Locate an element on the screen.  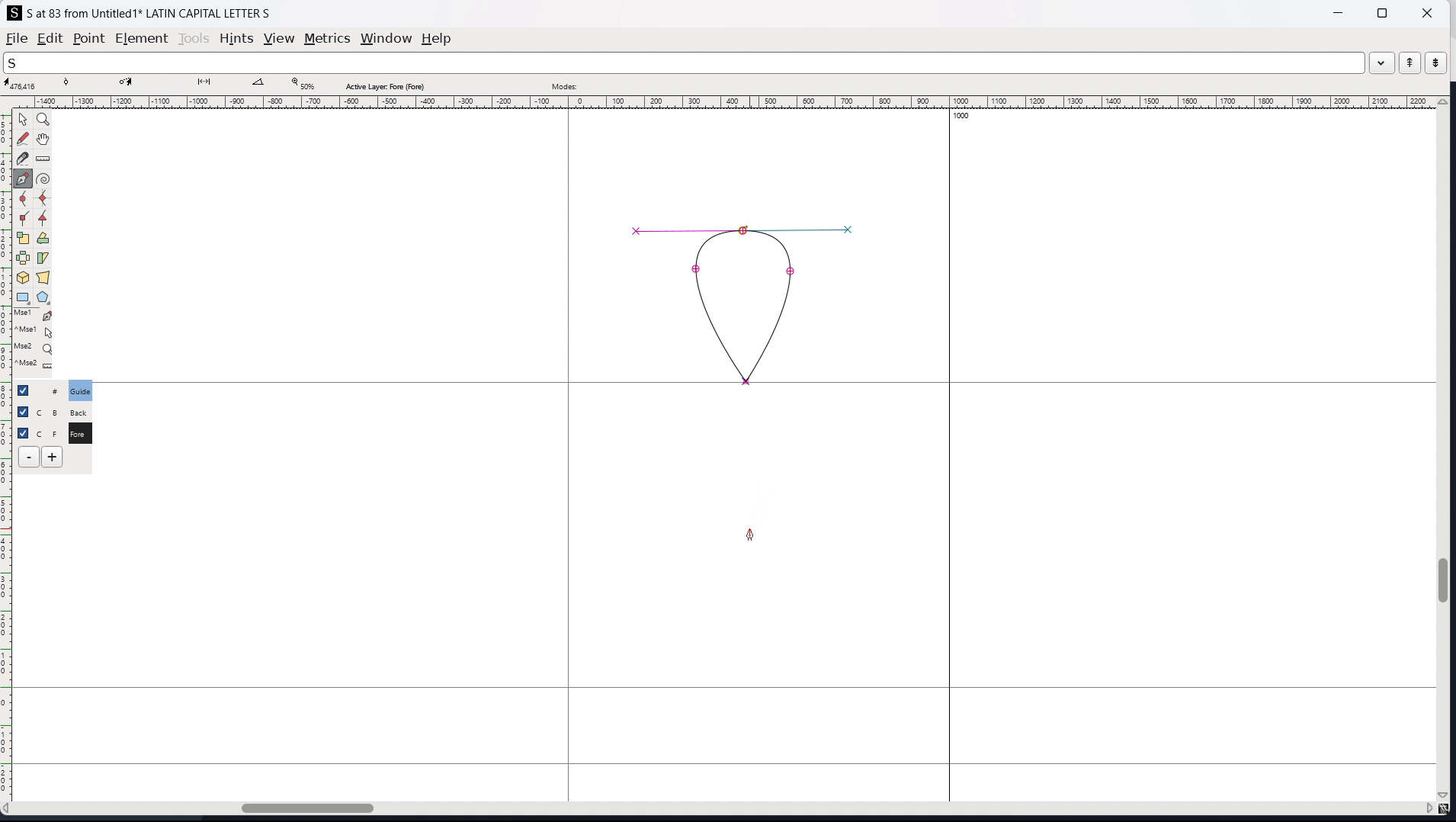
help is located at coordinates (437, 39).